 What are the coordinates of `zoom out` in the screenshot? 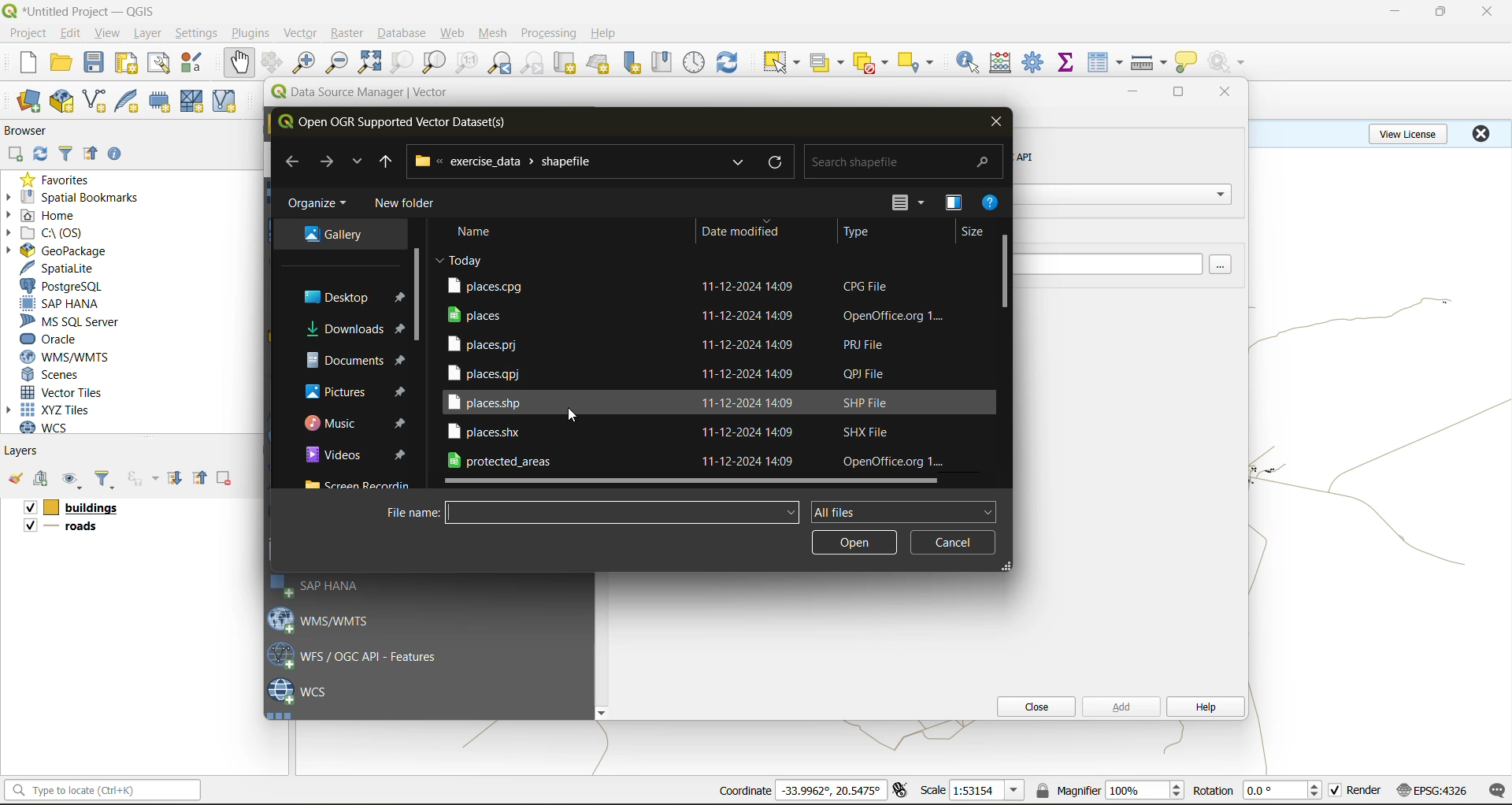 It's located at (338, 61).